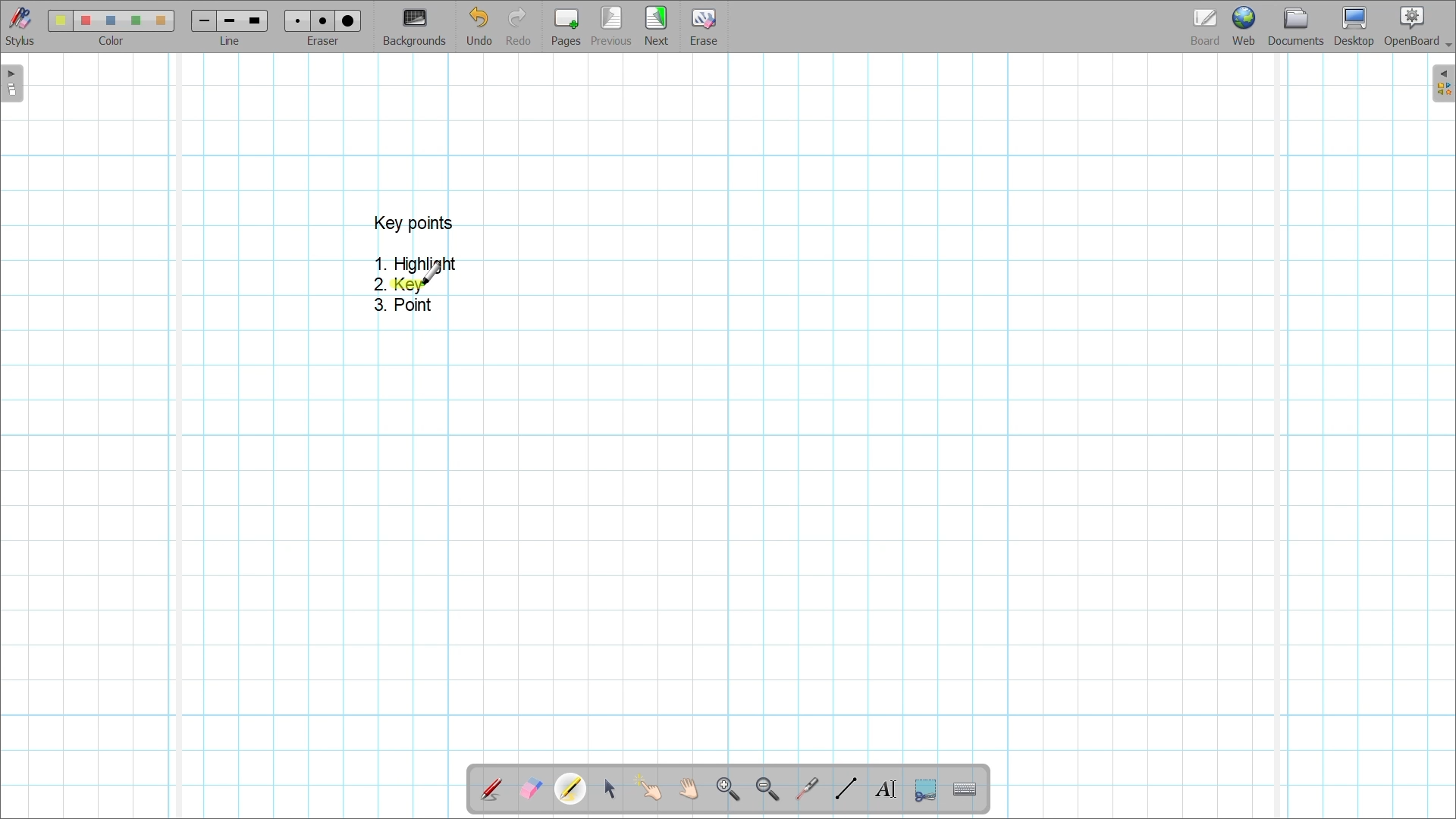  I want to click on Change background, so click(414, 27).